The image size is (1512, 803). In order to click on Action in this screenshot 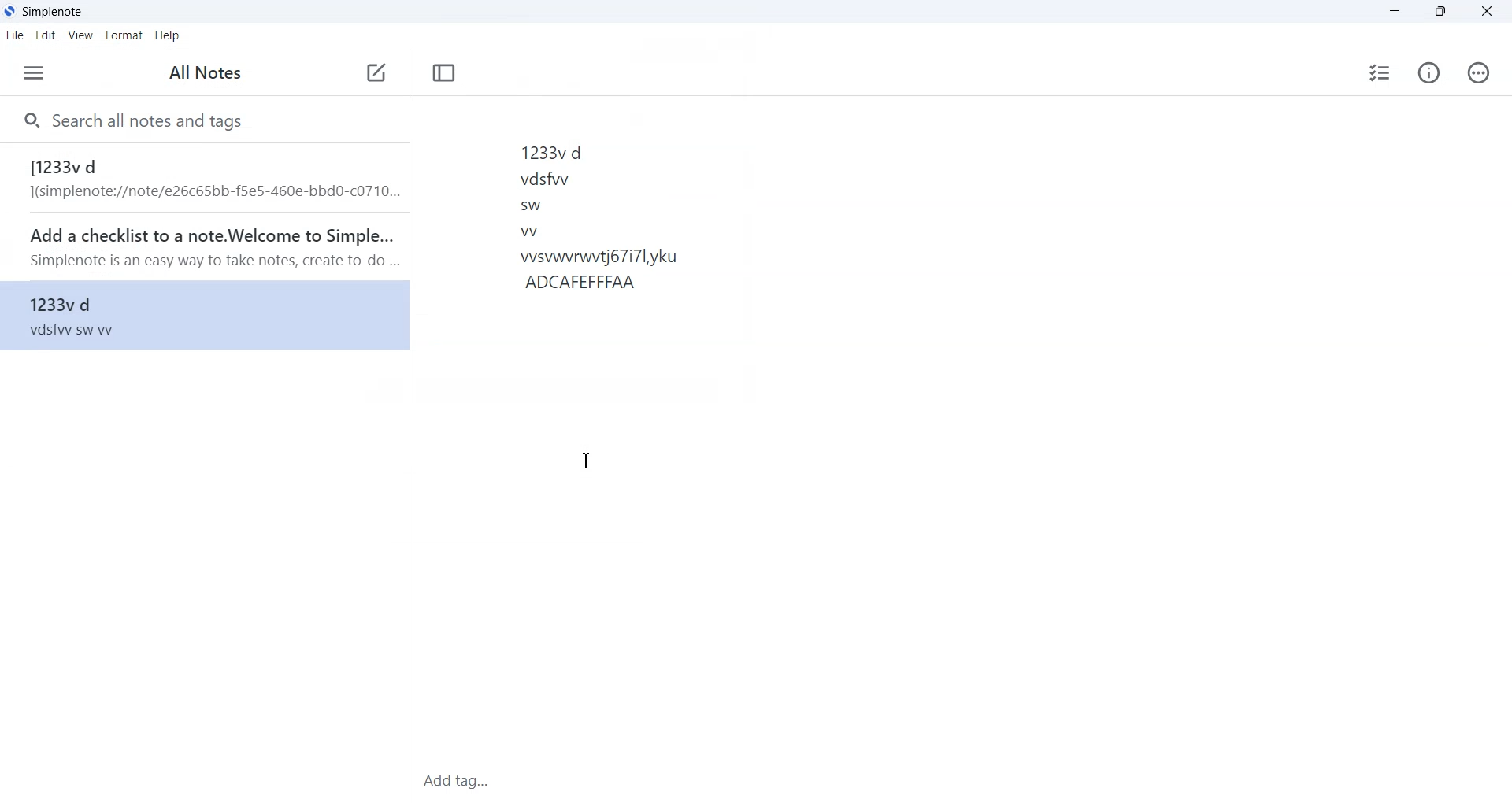, I will do `click(1480, 72)`.